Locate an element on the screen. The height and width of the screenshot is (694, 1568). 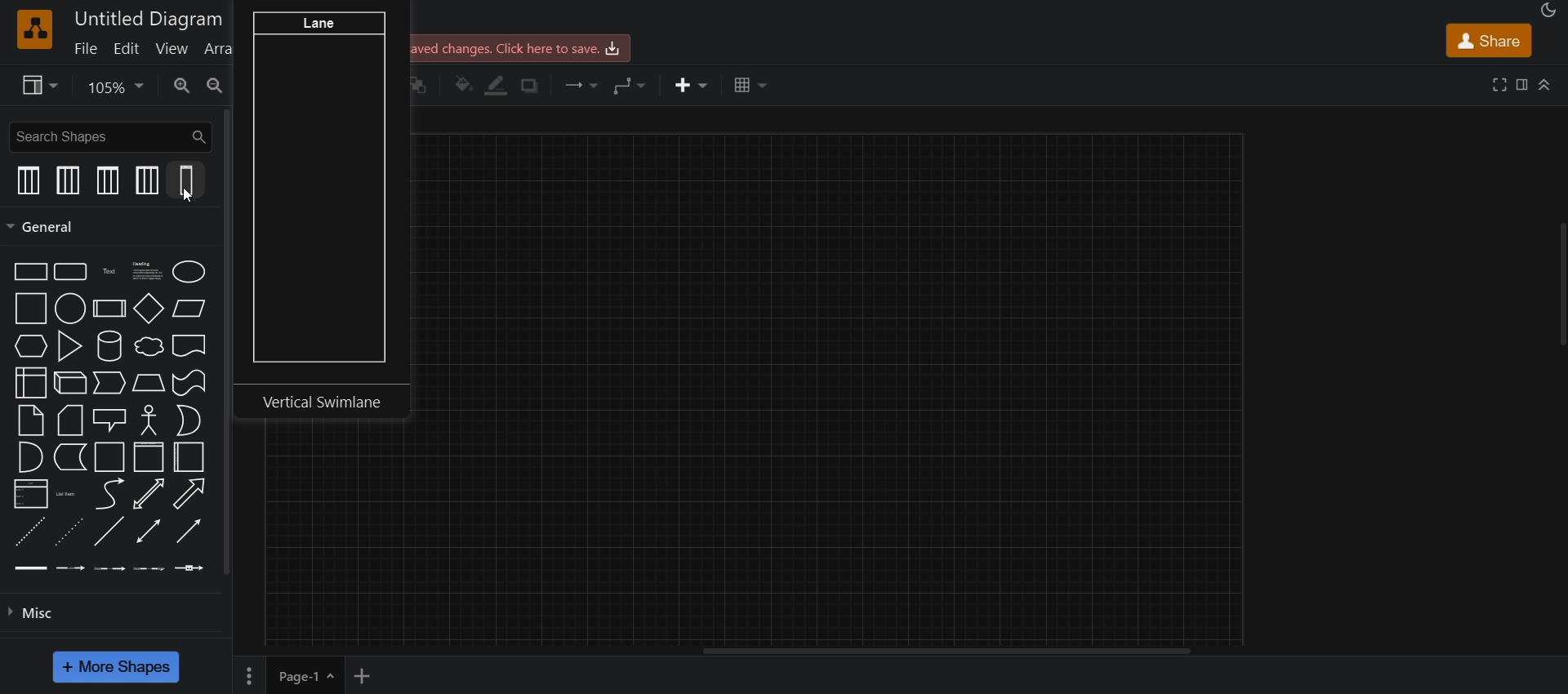
appearance is located at coordinates (1547, 11).